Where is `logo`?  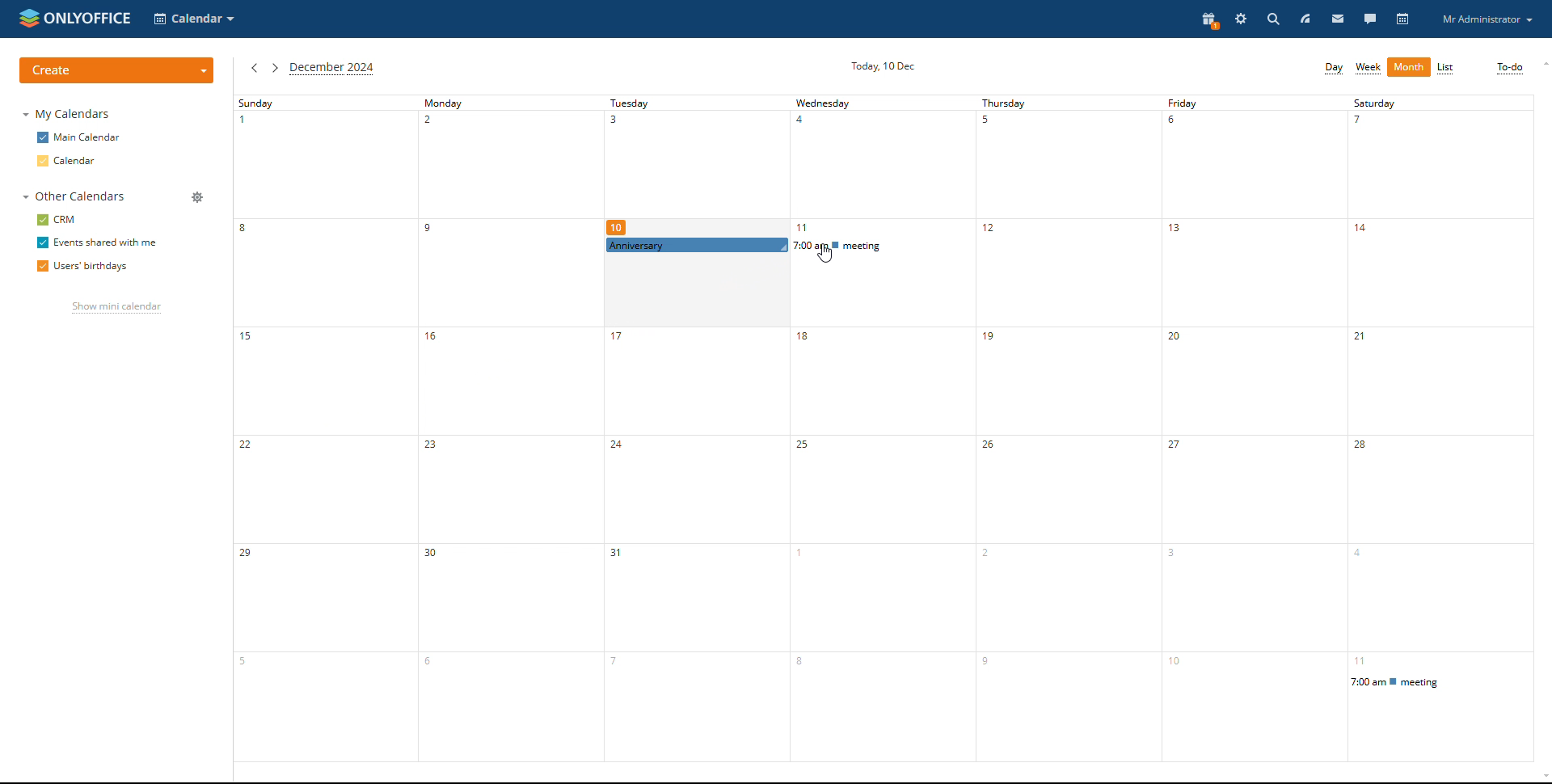
logo is located at coordinates (75, 18).